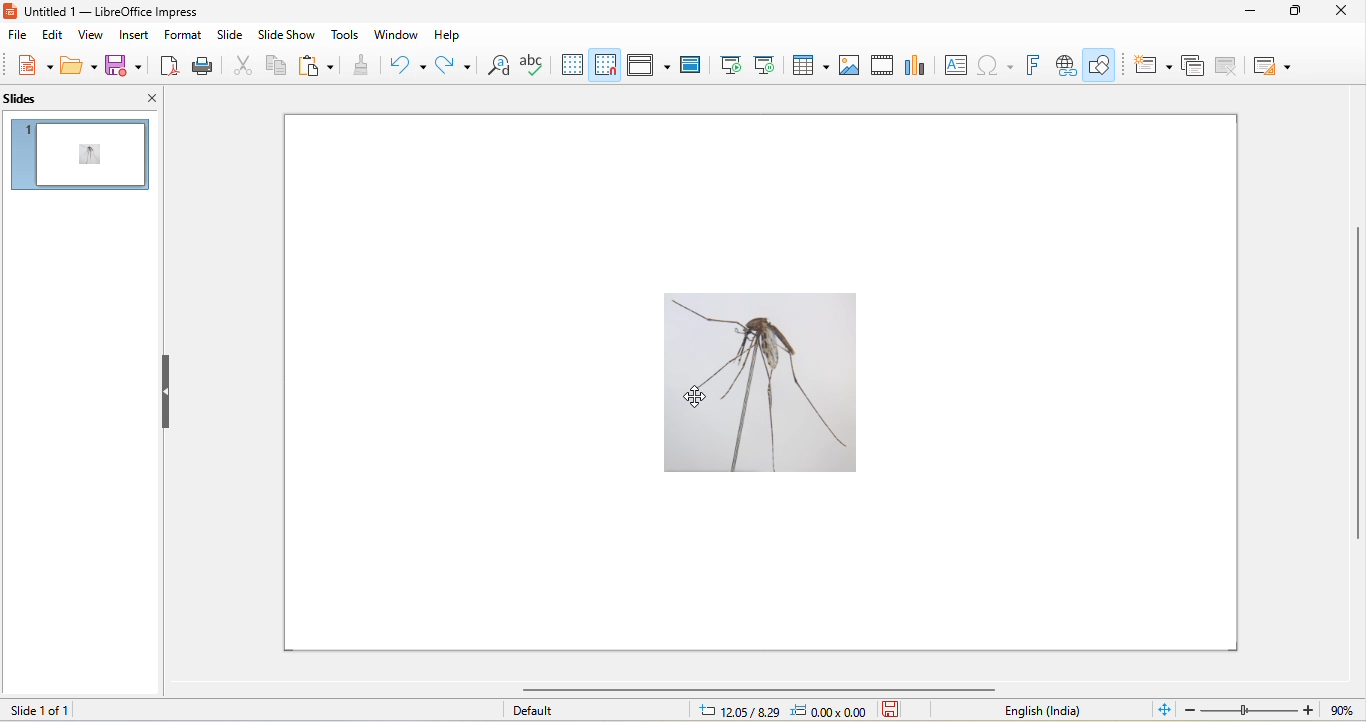 The image size is (1366, 722). I want to click on new slide, so click(1148, 64).